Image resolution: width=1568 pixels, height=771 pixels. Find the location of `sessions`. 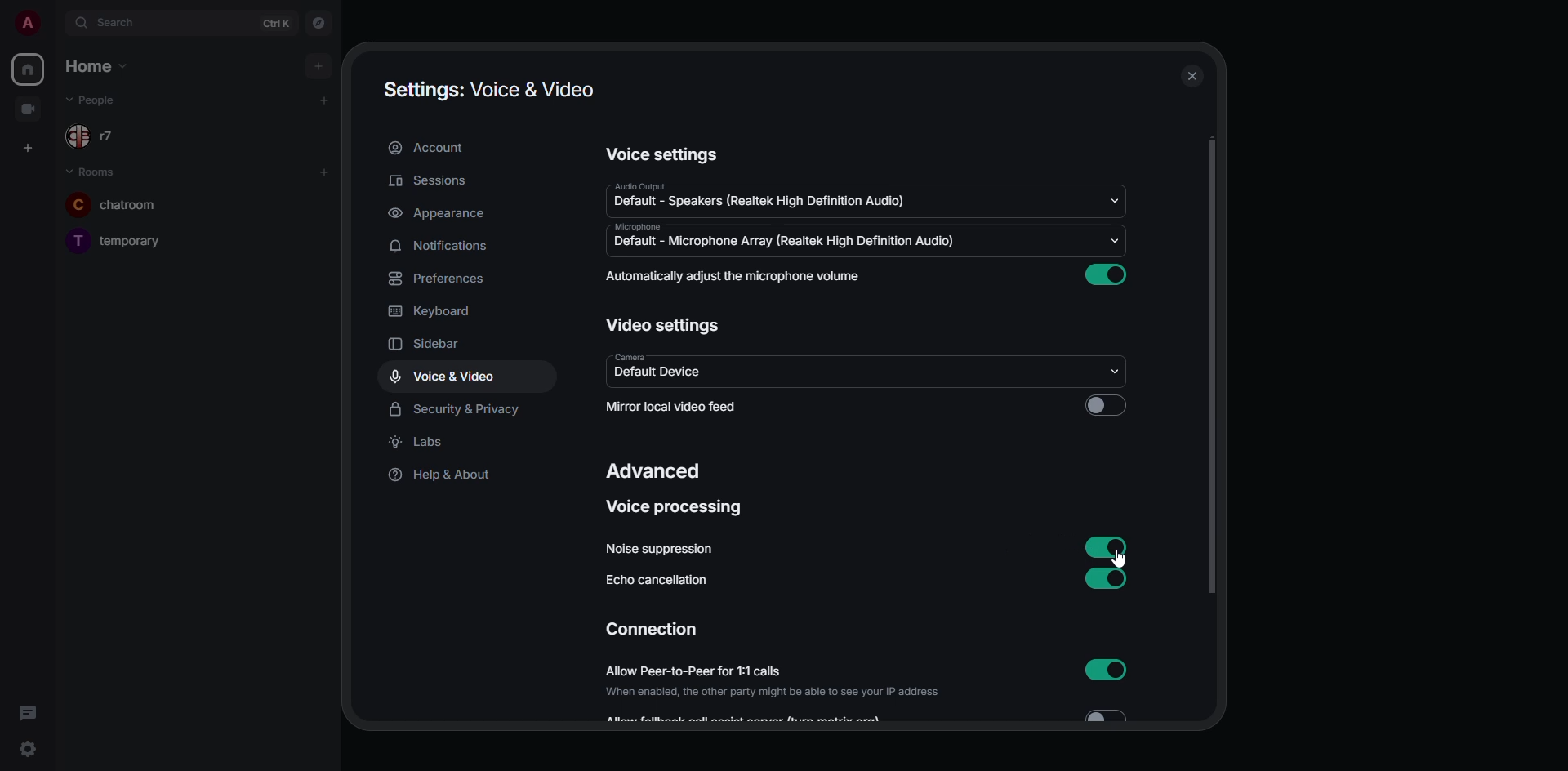

sessions is located at coordinates (428, 182).